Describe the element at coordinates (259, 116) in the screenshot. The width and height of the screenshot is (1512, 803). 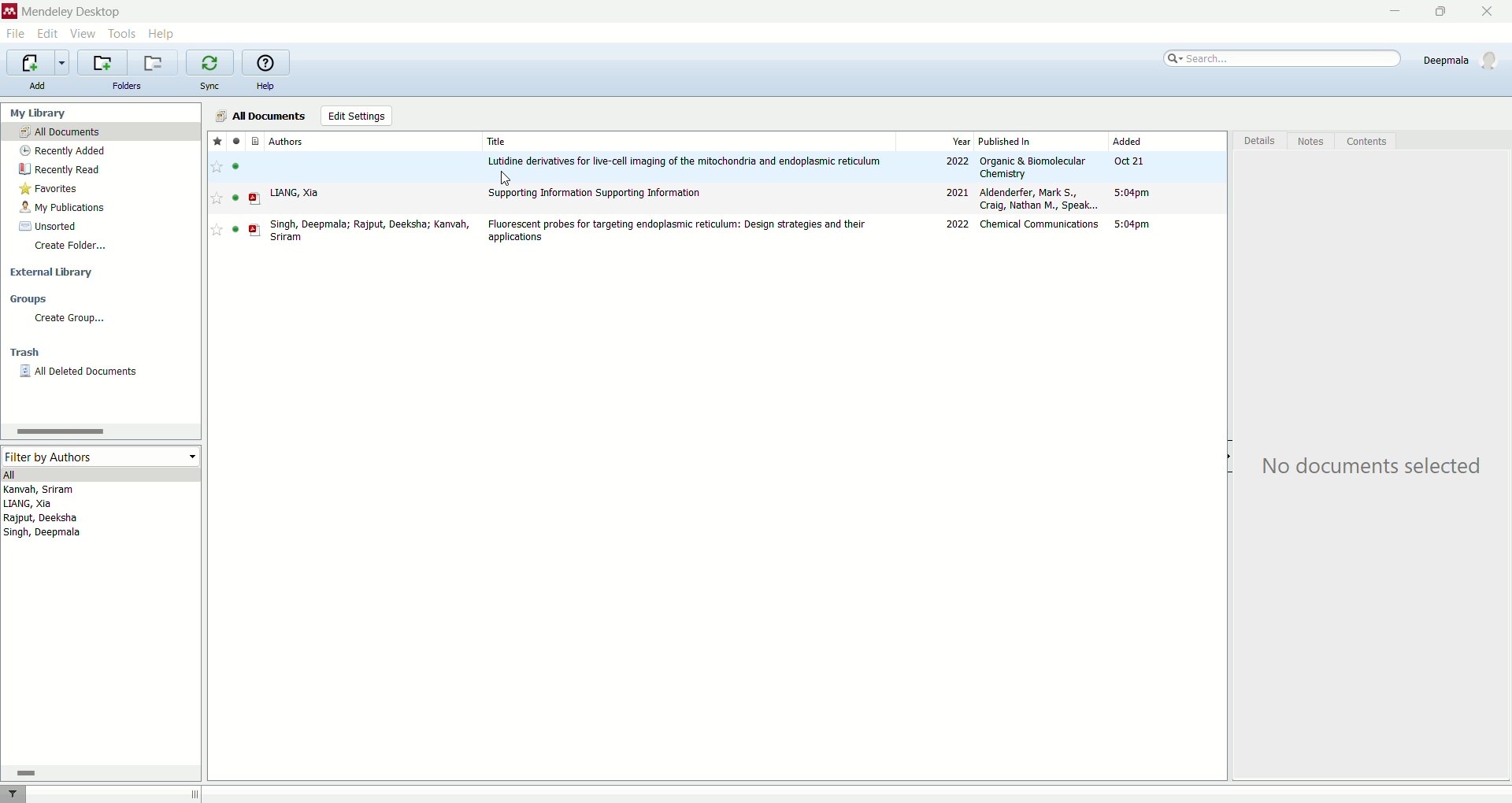
I see `all documnets` at that location.